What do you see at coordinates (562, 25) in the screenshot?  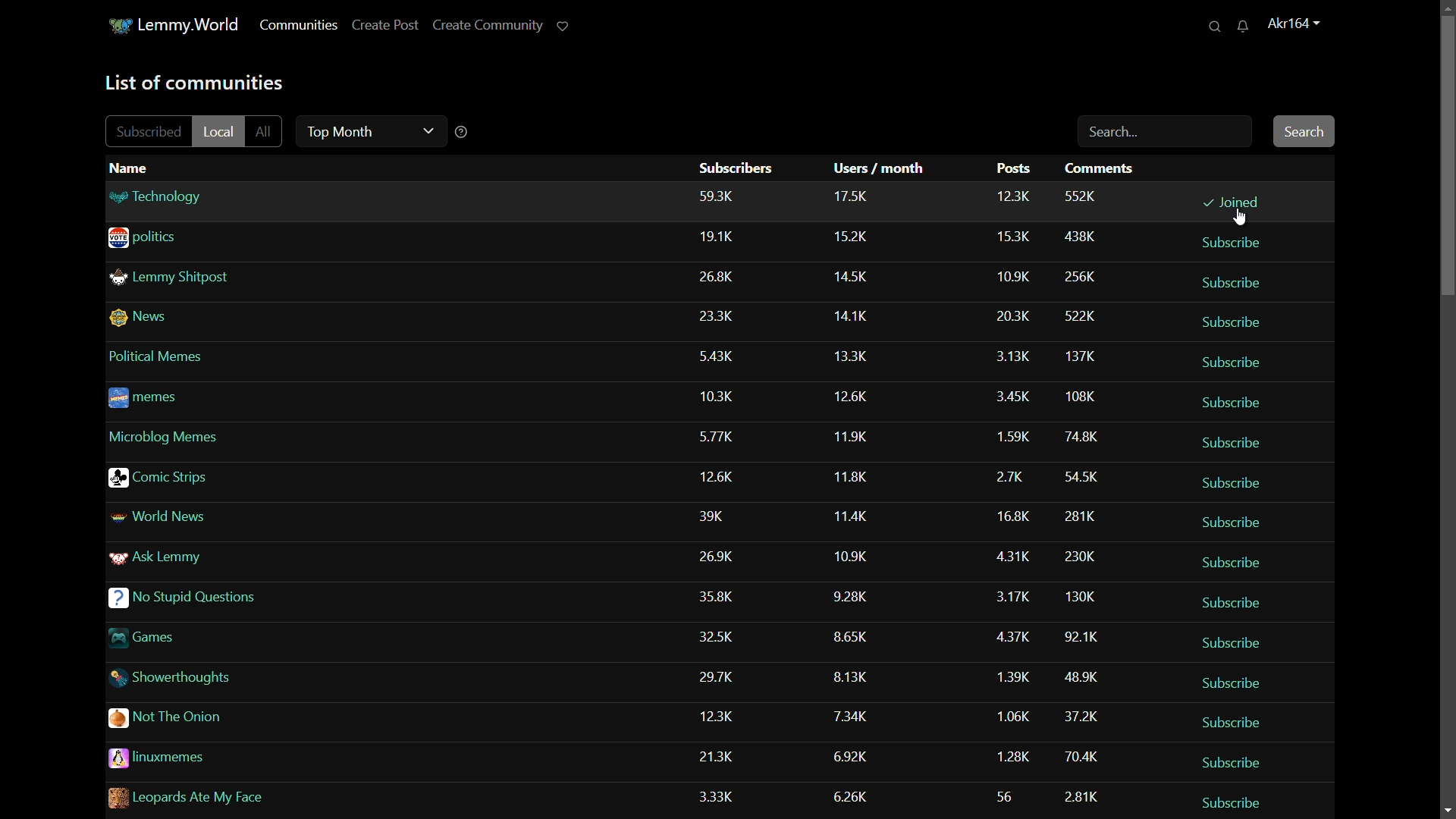 I see `support lemmy` at bounding box center [562, 25].